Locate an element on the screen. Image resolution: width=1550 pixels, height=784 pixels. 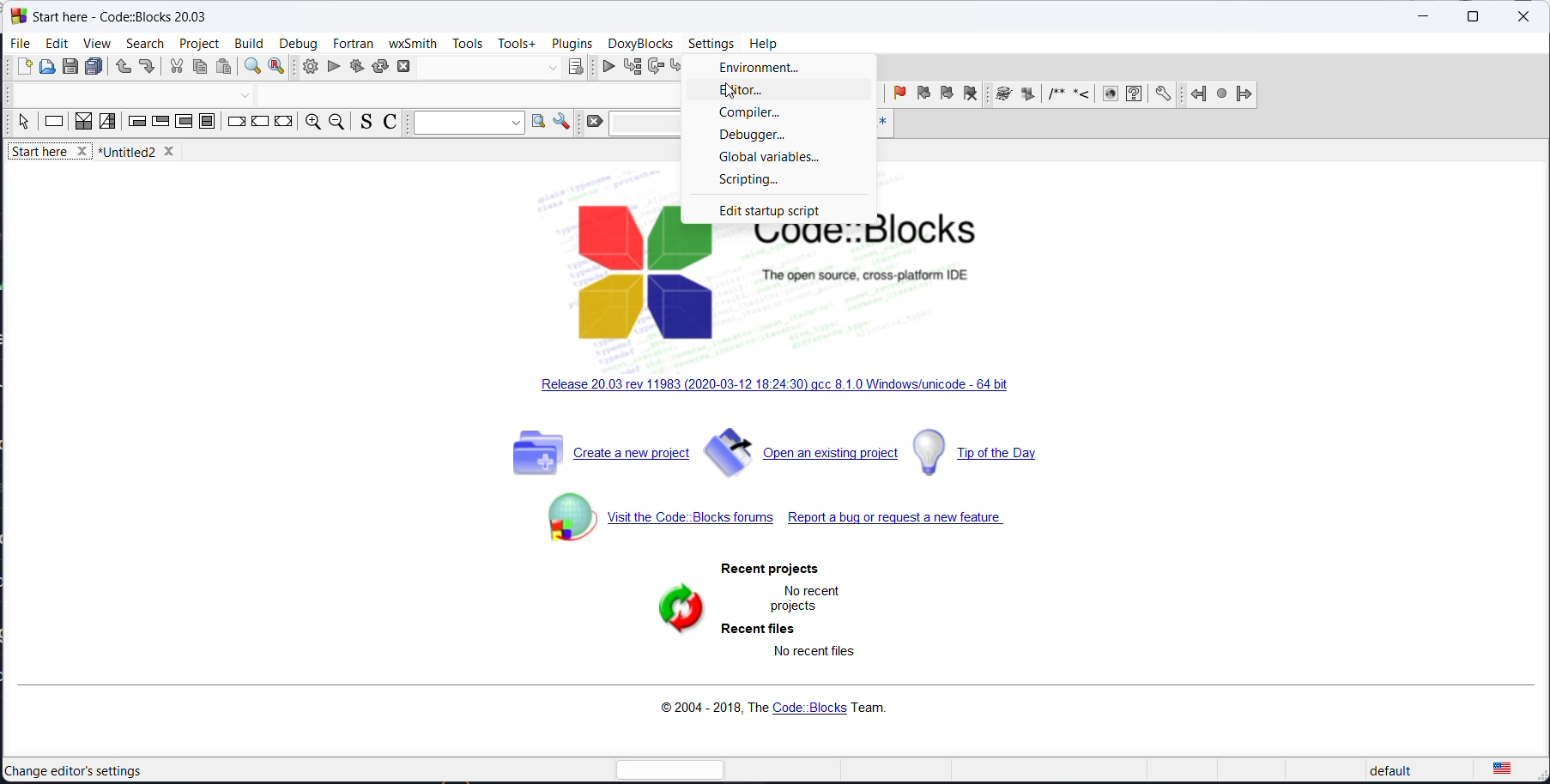
redo is located at coordinates (147, 69).